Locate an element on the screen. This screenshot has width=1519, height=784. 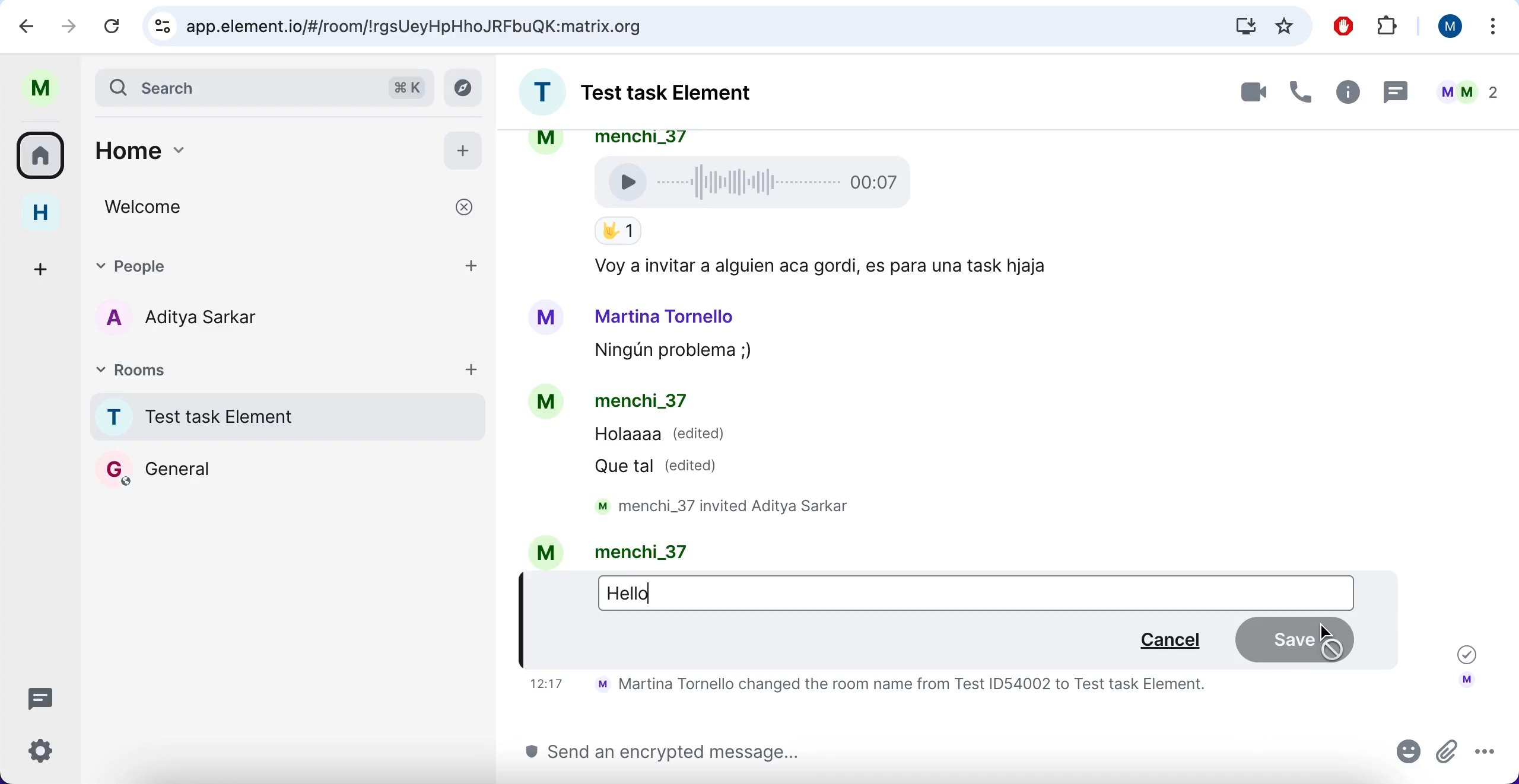
people is located at coordinates (263, 264).